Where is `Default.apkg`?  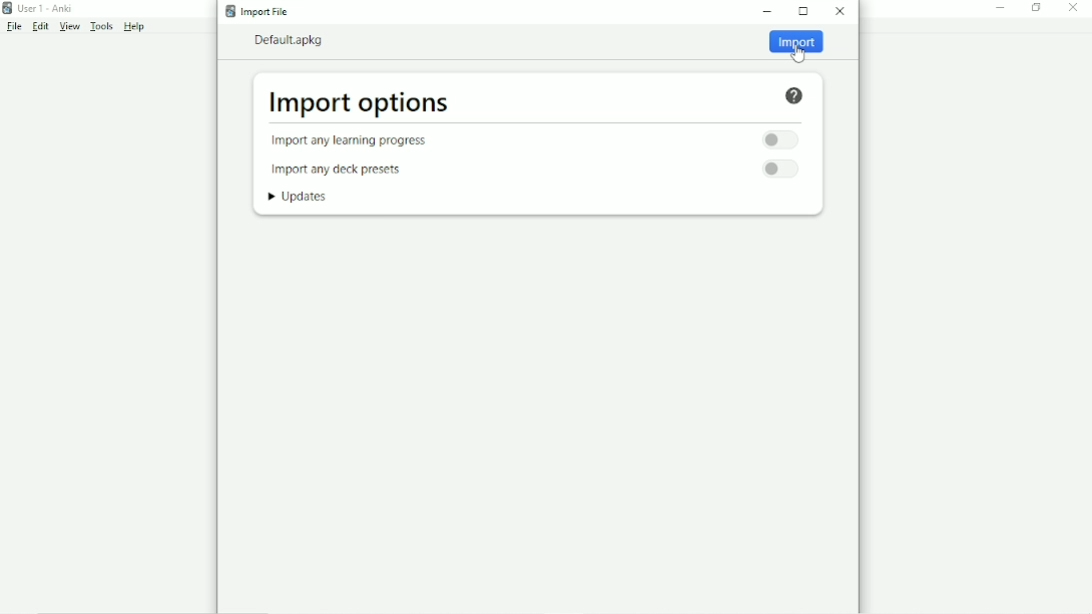
Default.apkg is located at coordinates (293, 40).